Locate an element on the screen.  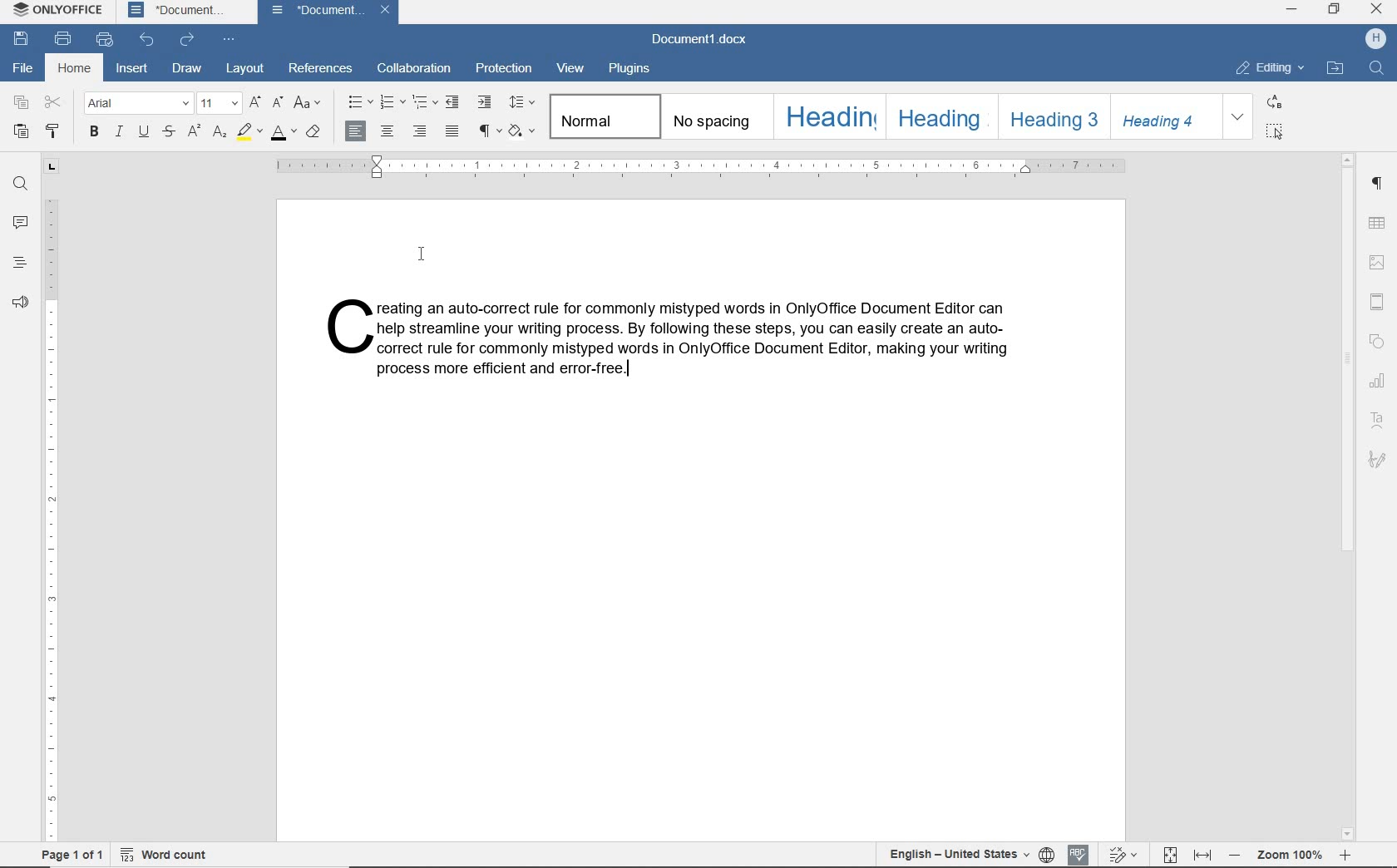
CUT is located at coordinates (53, 101).